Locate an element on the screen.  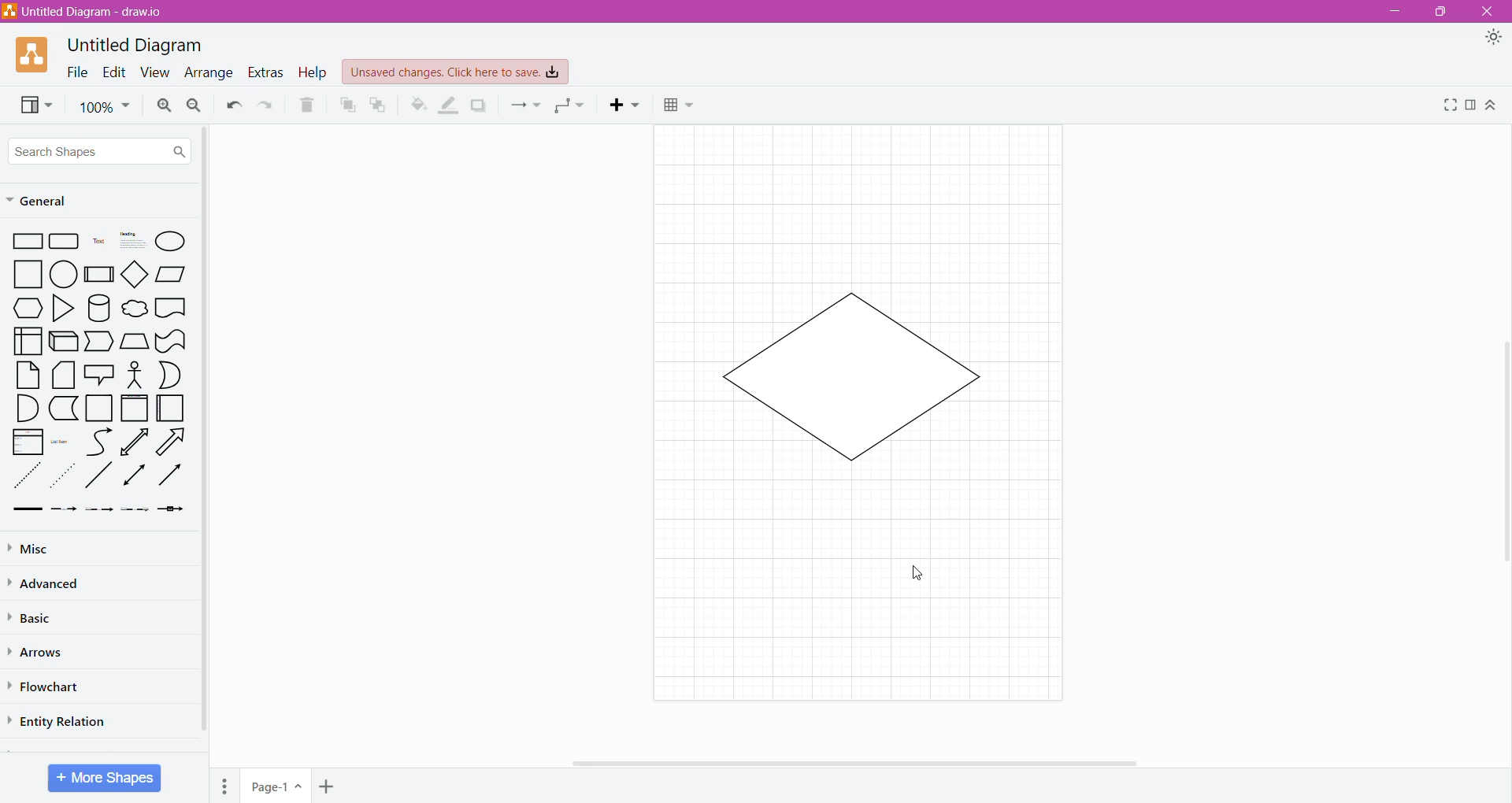
Untitle Diagram is located at coordinates (138, 46).